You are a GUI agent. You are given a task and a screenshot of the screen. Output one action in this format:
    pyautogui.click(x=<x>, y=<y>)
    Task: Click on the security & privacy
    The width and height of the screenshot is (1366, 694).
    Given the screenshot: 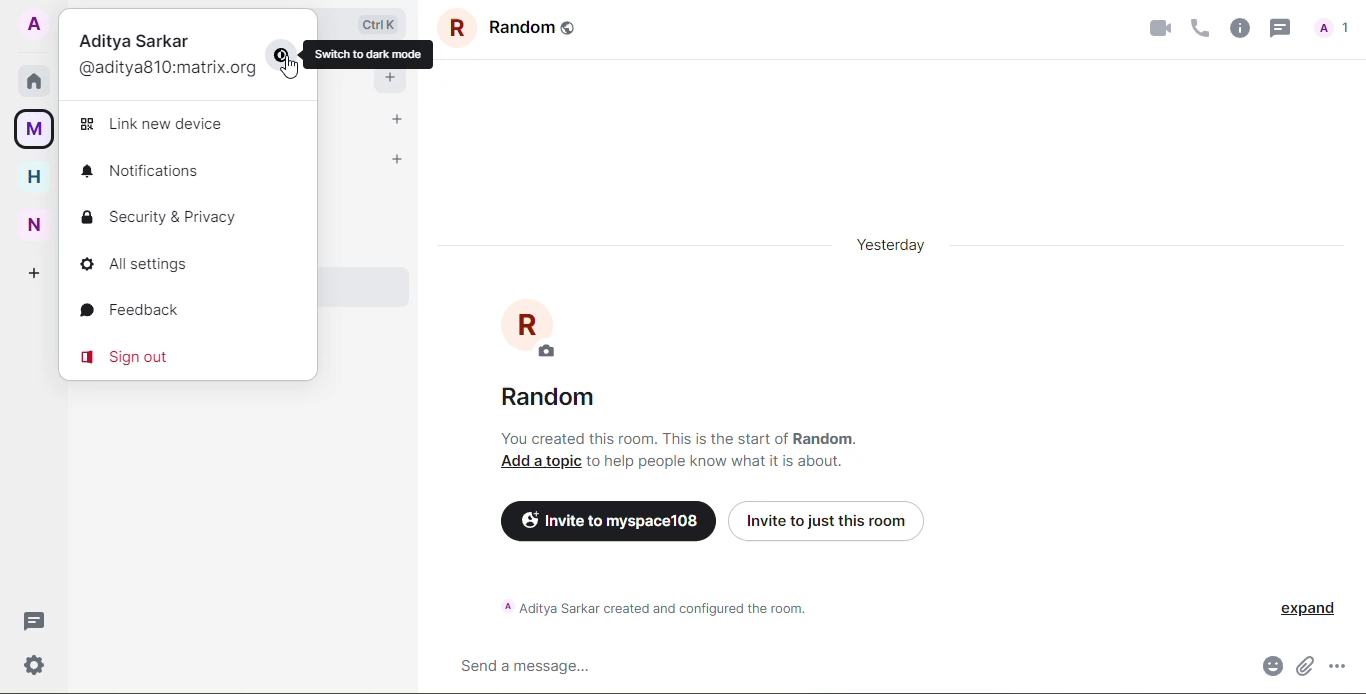 What is the action you would take?
    pyautogui.click(x=164, y=217)
    